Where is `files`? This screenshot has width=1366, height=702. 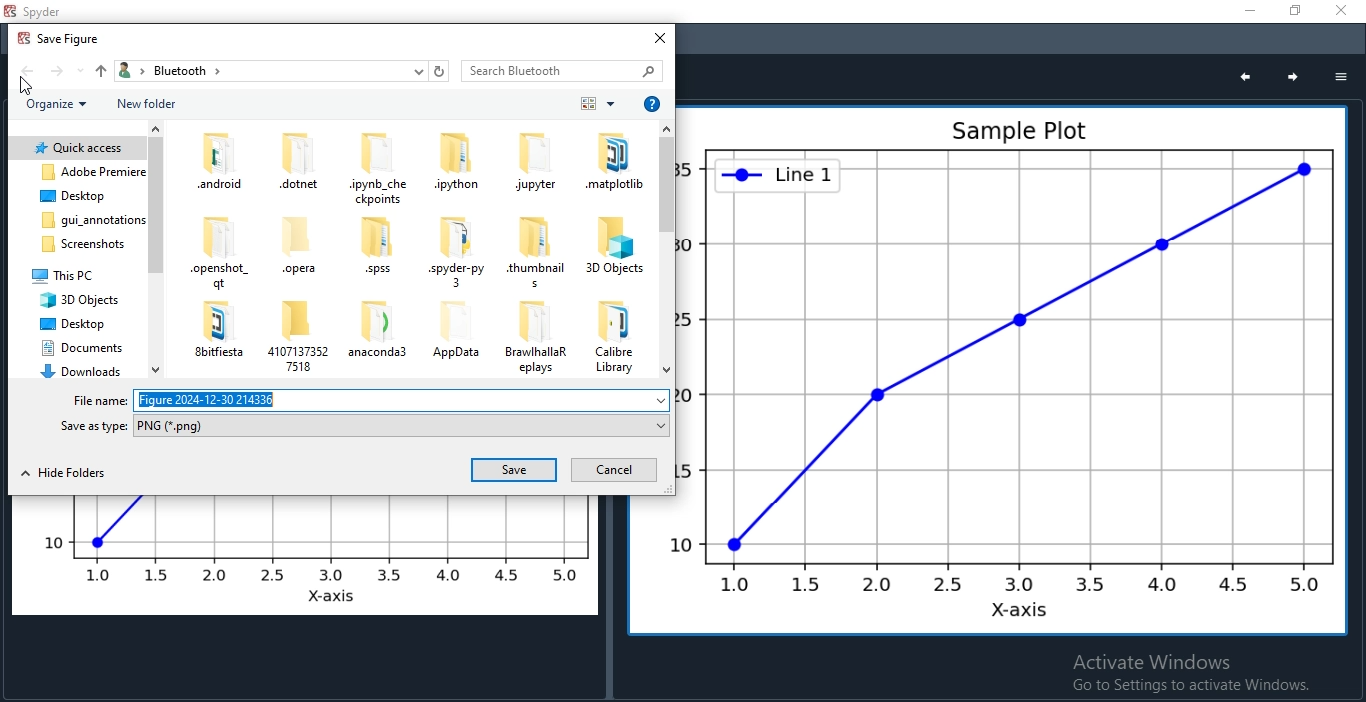
files is located at coordinates (615, 246).